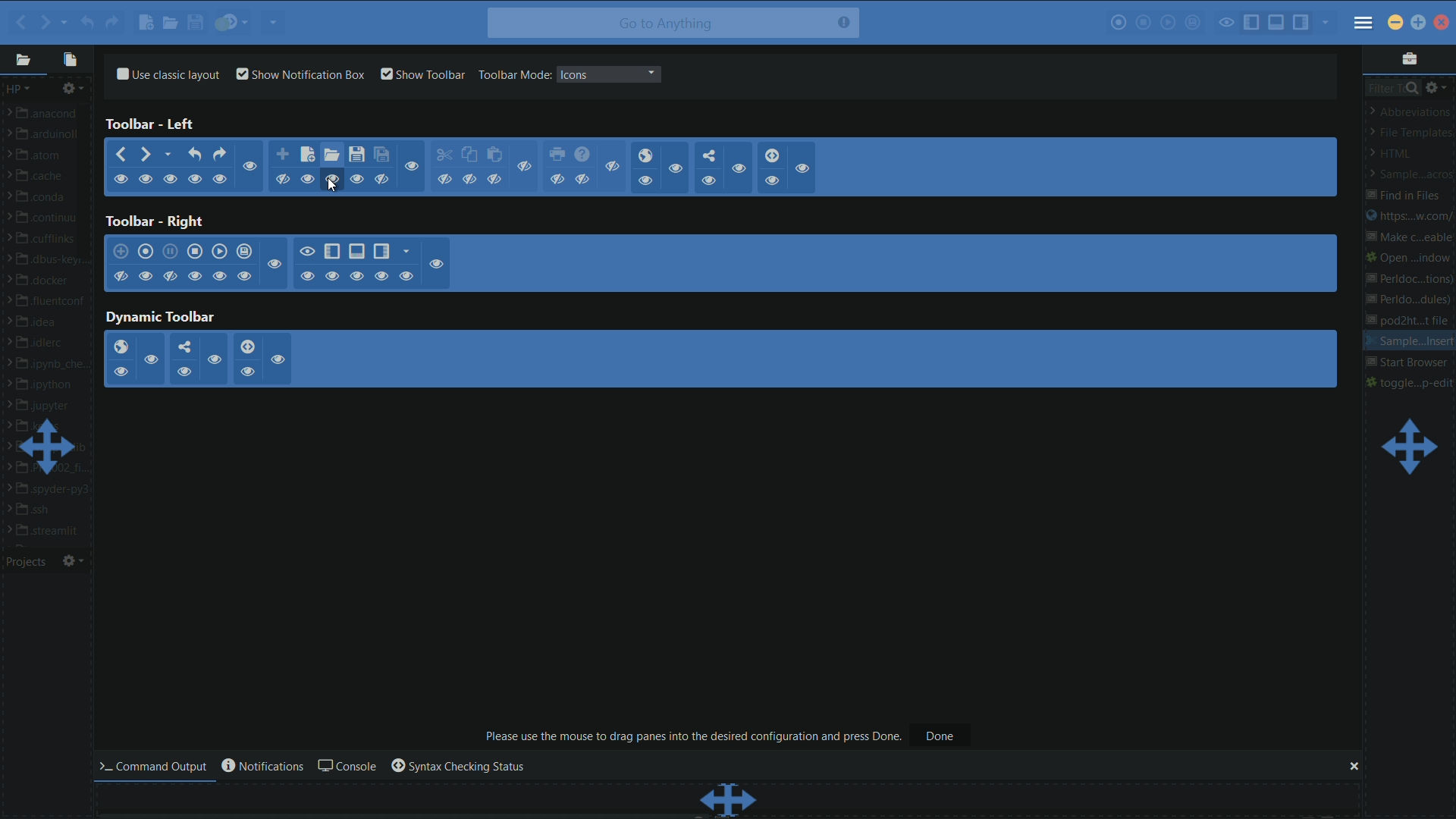  What do you see at coordinates (1394, 22) in the screenshot?
I see `minimize` at bounding box center [1394, 22].